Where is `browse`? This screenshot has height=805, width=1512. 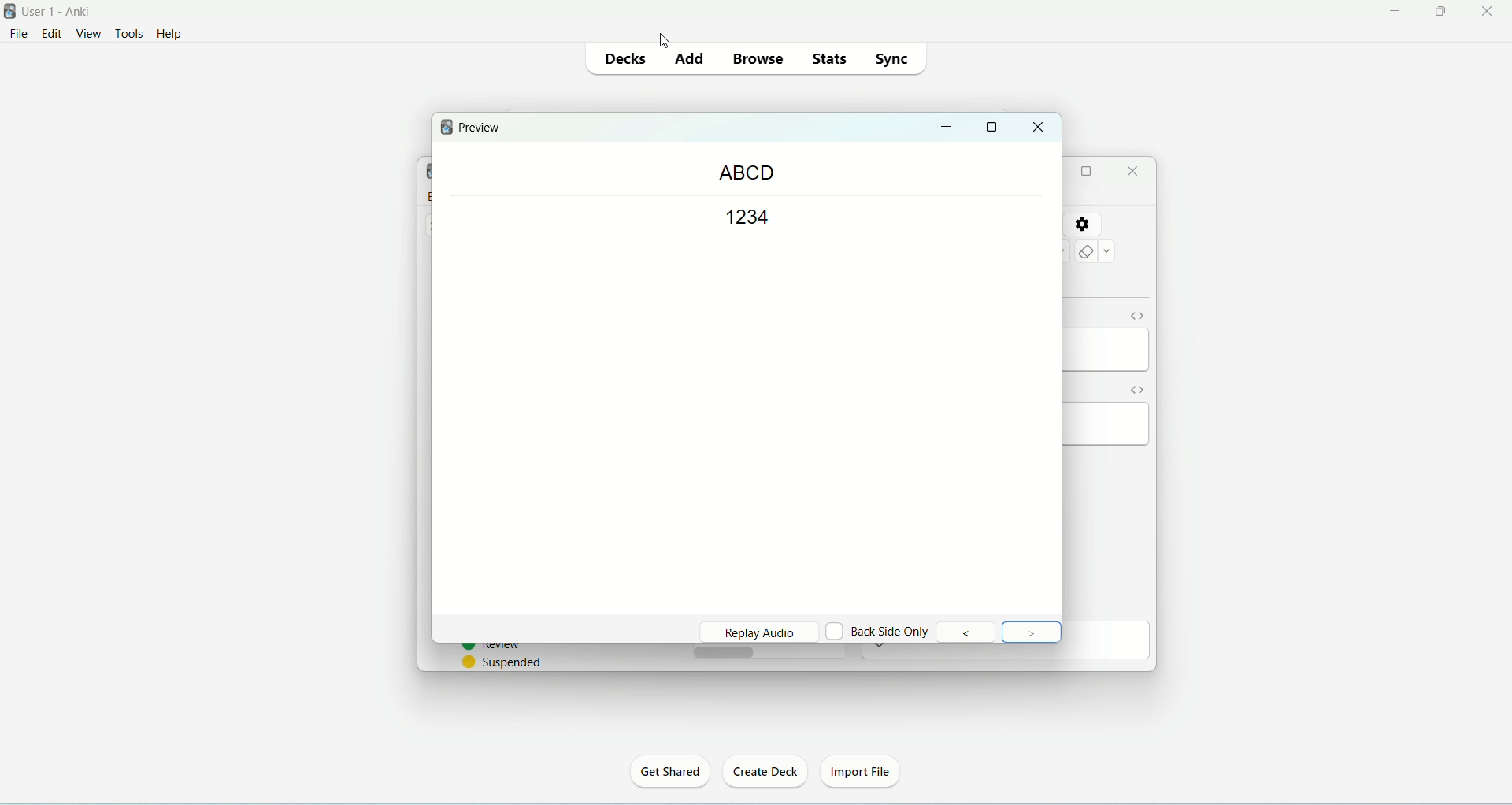
browse is located at coordinates (758, 58).